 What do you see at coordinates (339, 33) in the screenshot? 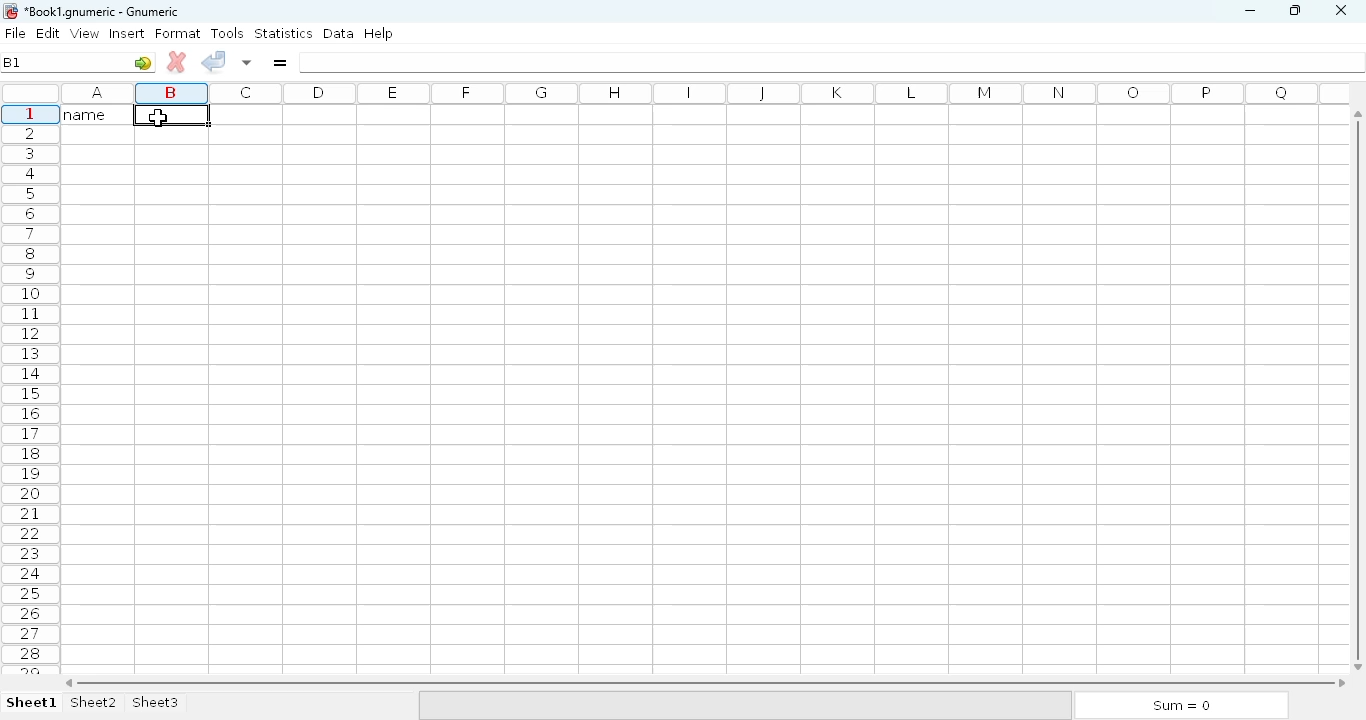
I see `data` at bounding box center [339, 33].